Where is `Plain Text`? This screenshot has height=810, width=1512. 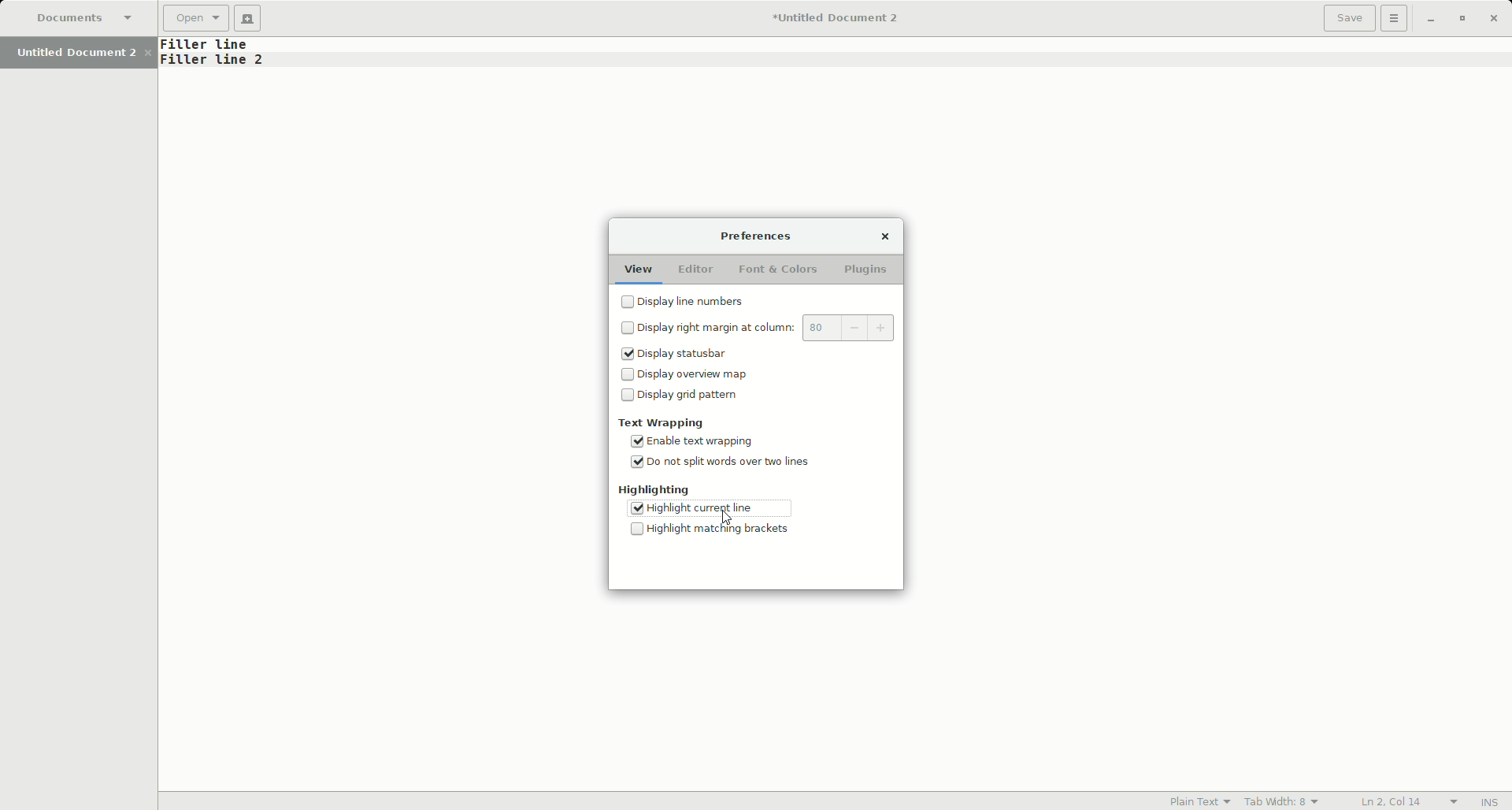
Plain Text is located at coordinates (1195, 801).